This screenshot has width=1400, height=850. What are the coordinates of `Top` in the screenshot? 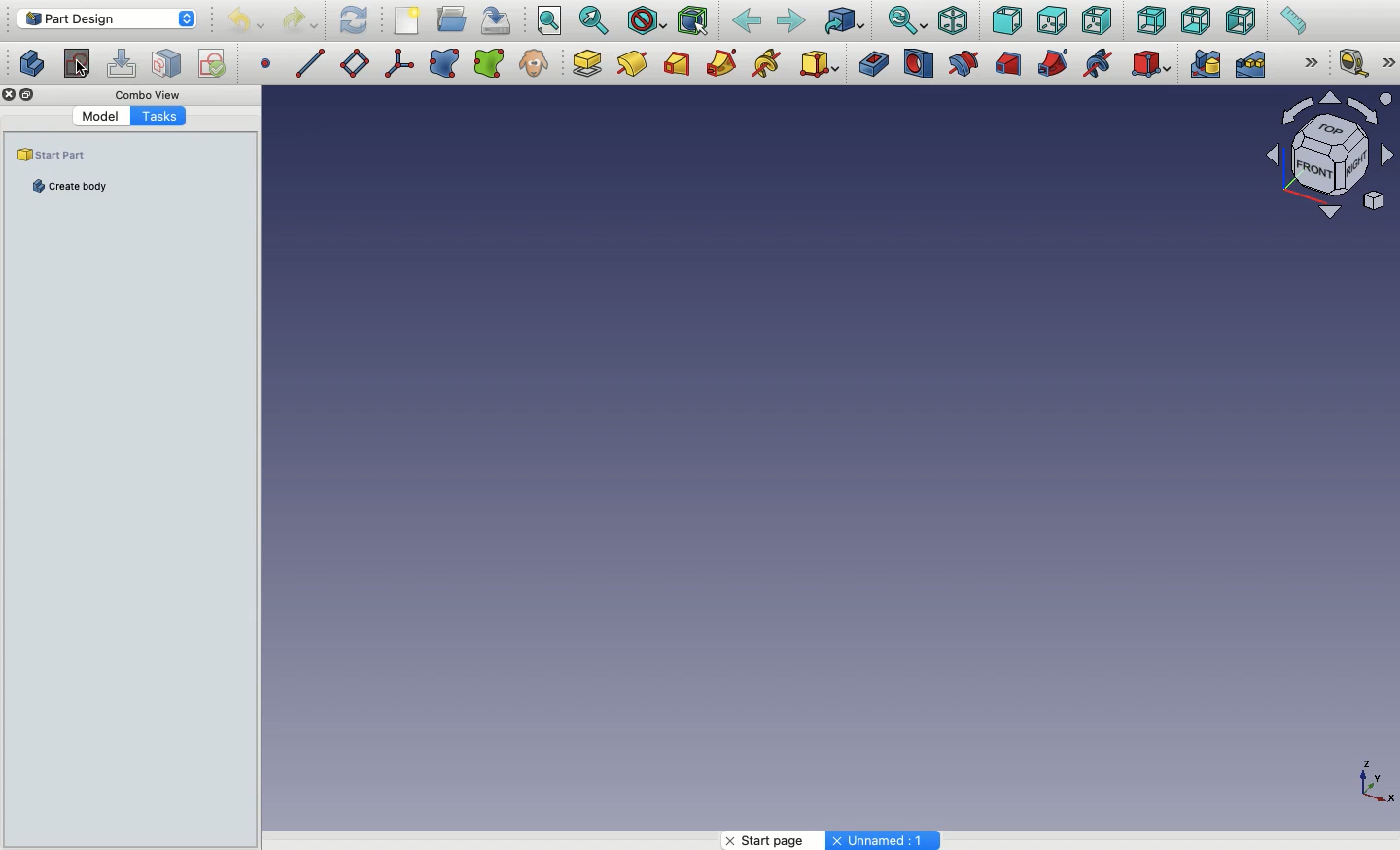 It's located at (1051, 21).